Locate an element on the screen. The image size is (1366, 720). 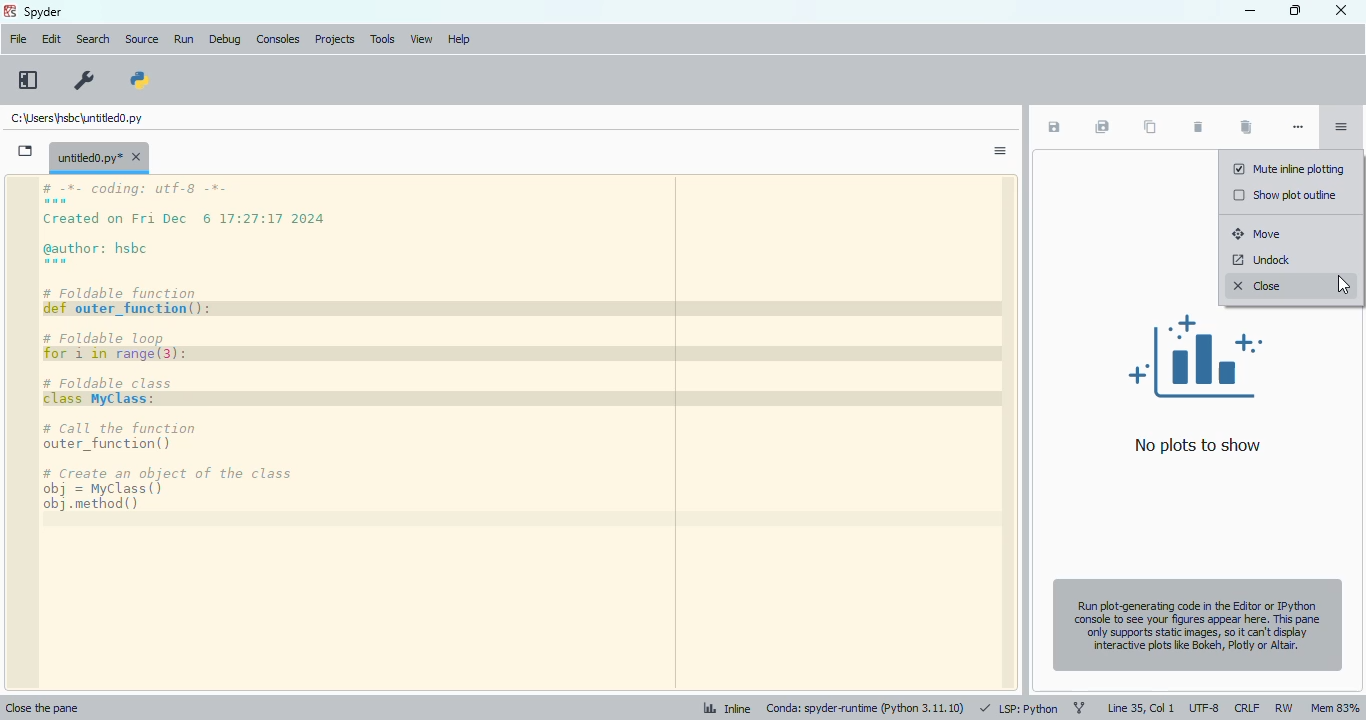
conda: spyder-runtime (python 3. 11. 10) is located at coordinates (866, 708).